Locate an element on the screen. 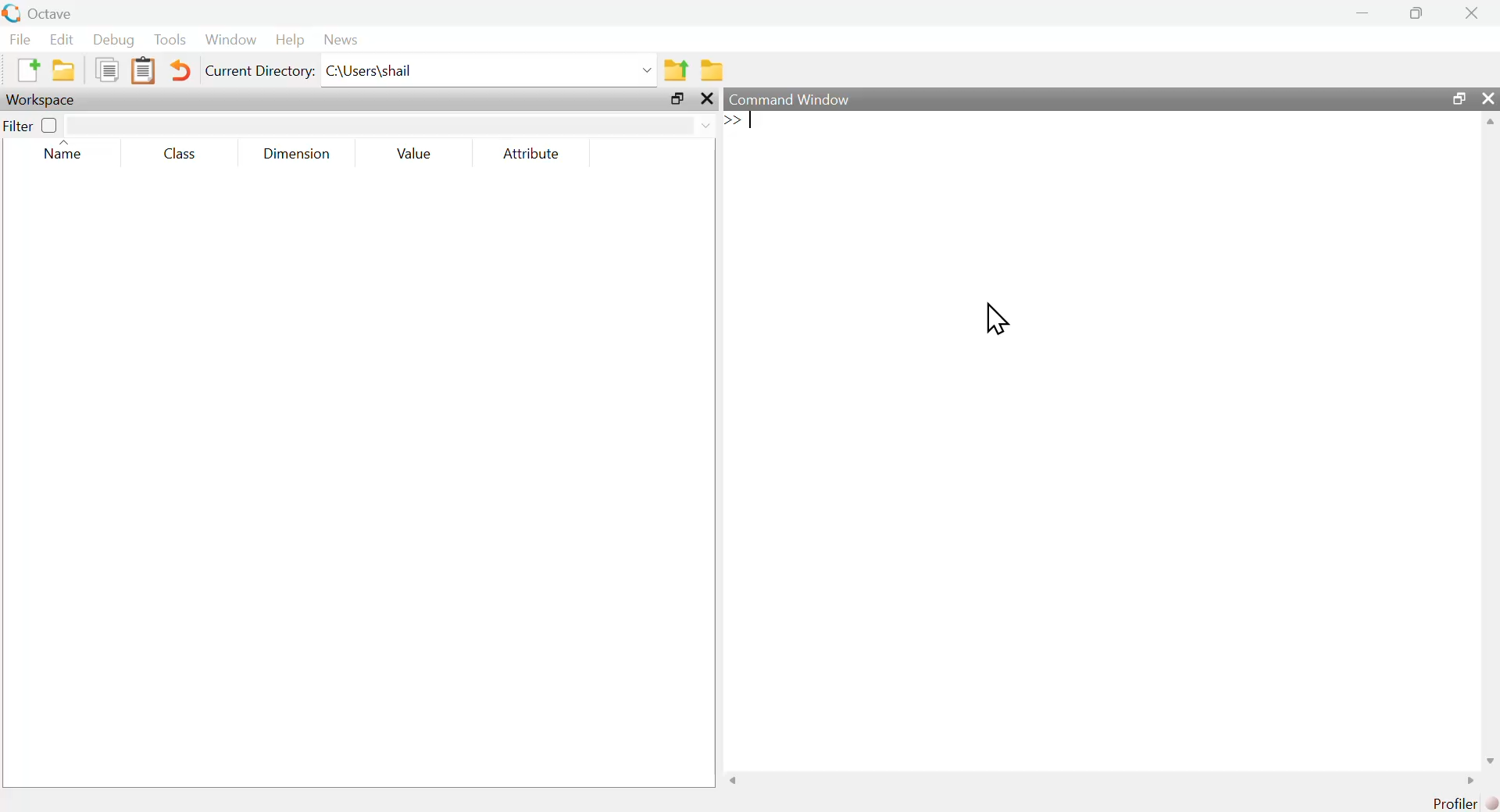 This screenshot has width=1500, height=812. dropdown is located at coordinates (645, 69).